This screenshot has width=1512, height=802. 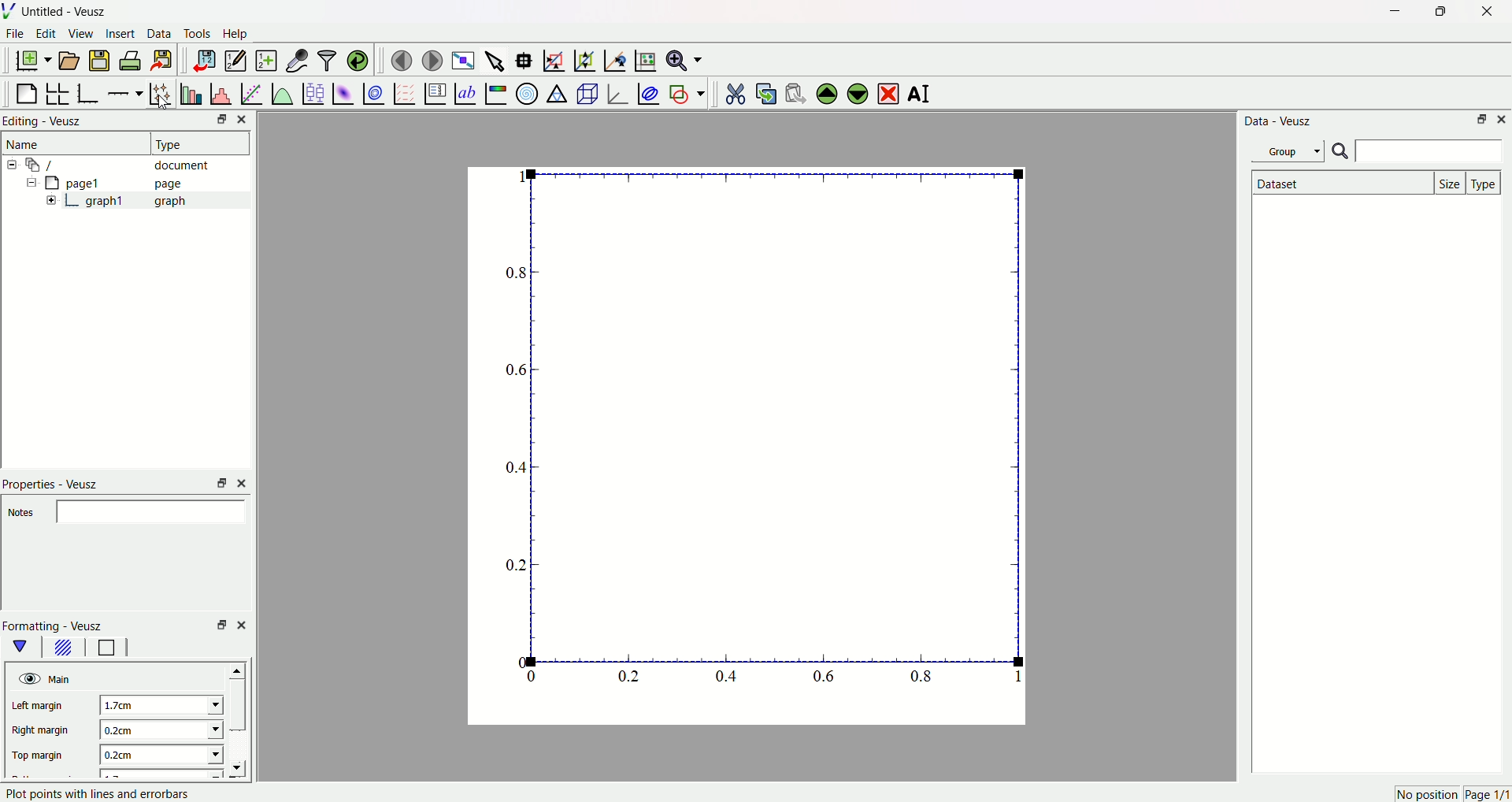 I want to click on Tools, so click(x=198, y=35).